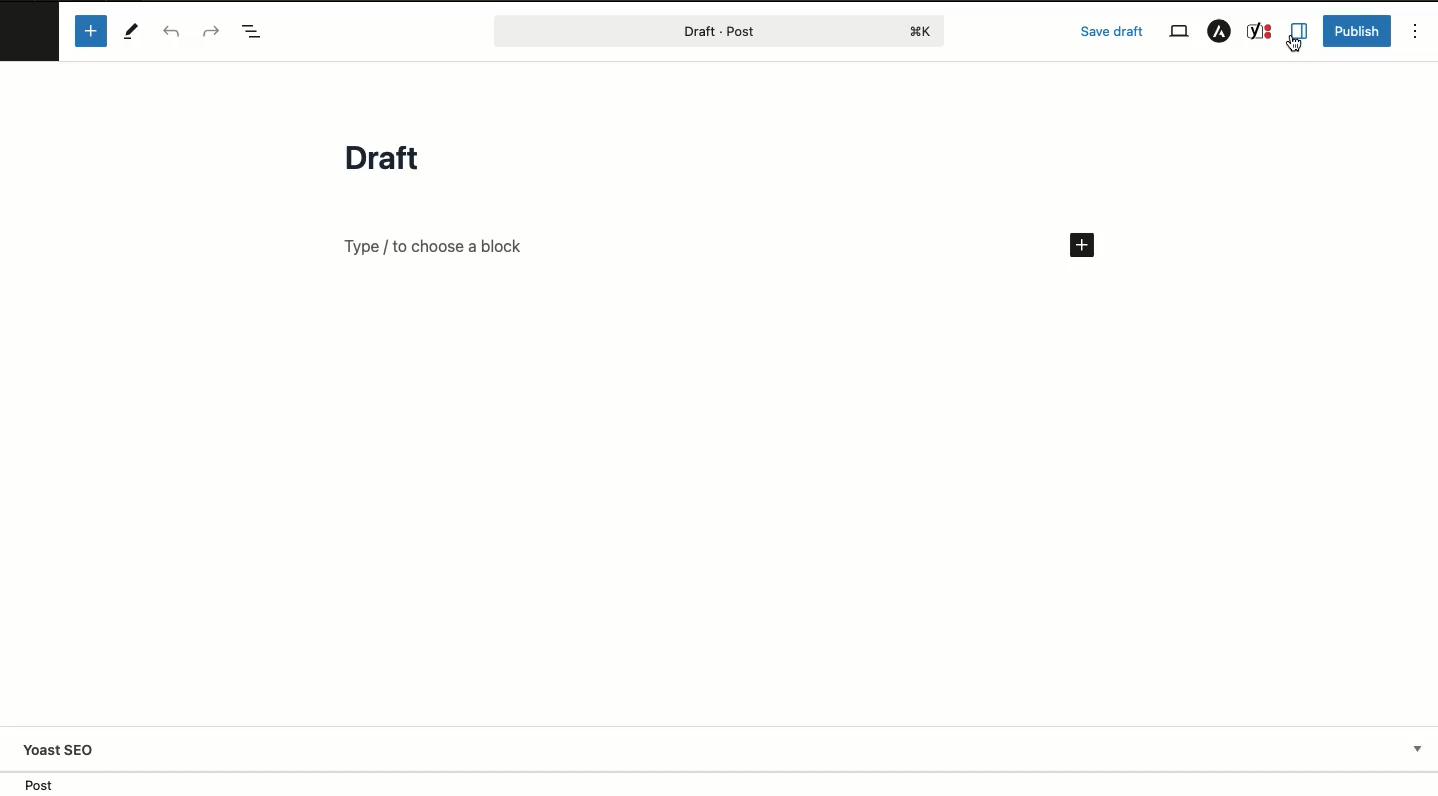  Describe the element at coordinates (215, 31) in the screenshot. I see `Redo` at that location.